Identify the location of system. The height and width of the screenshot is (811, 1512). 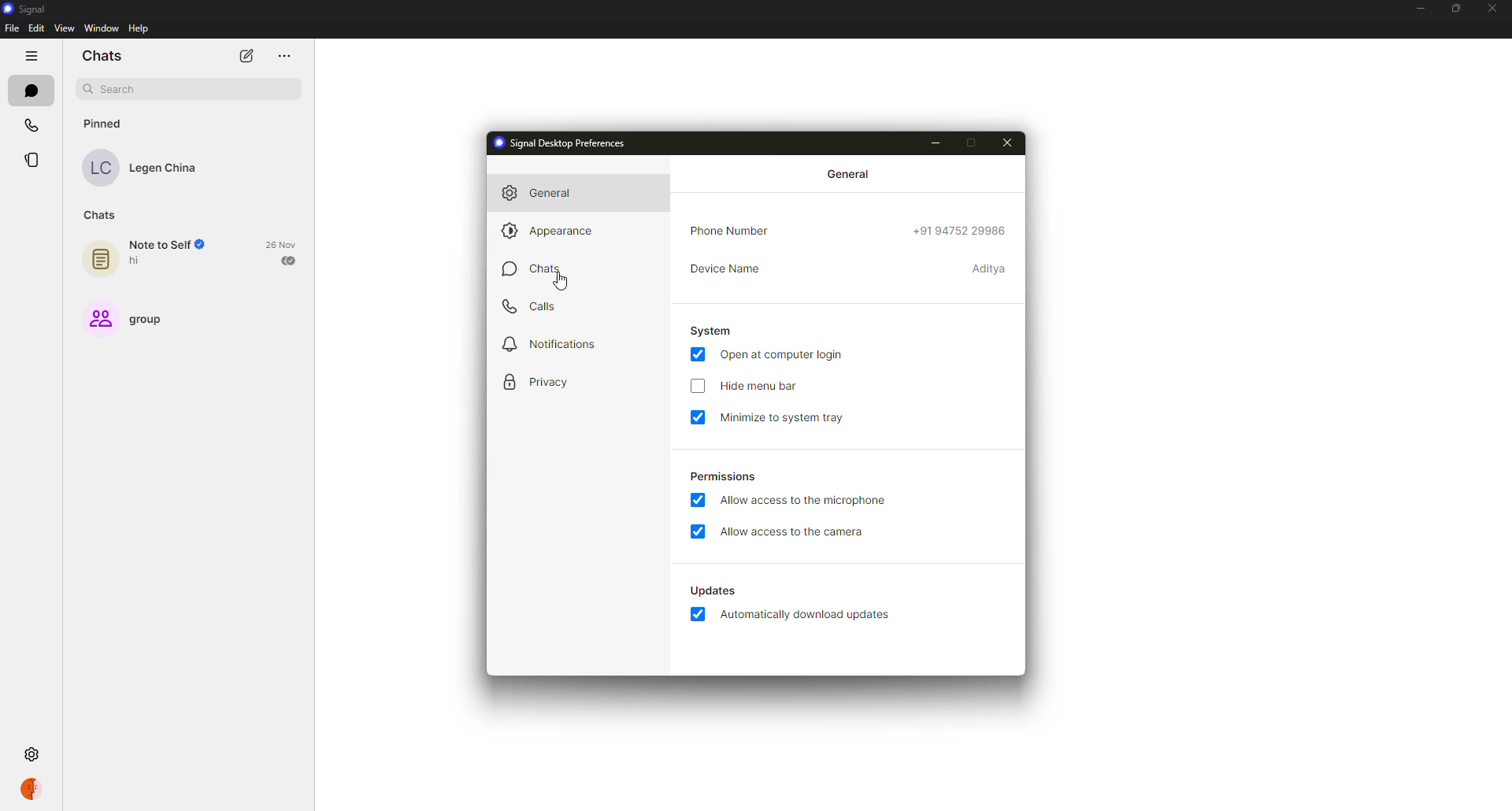
(714, 332).